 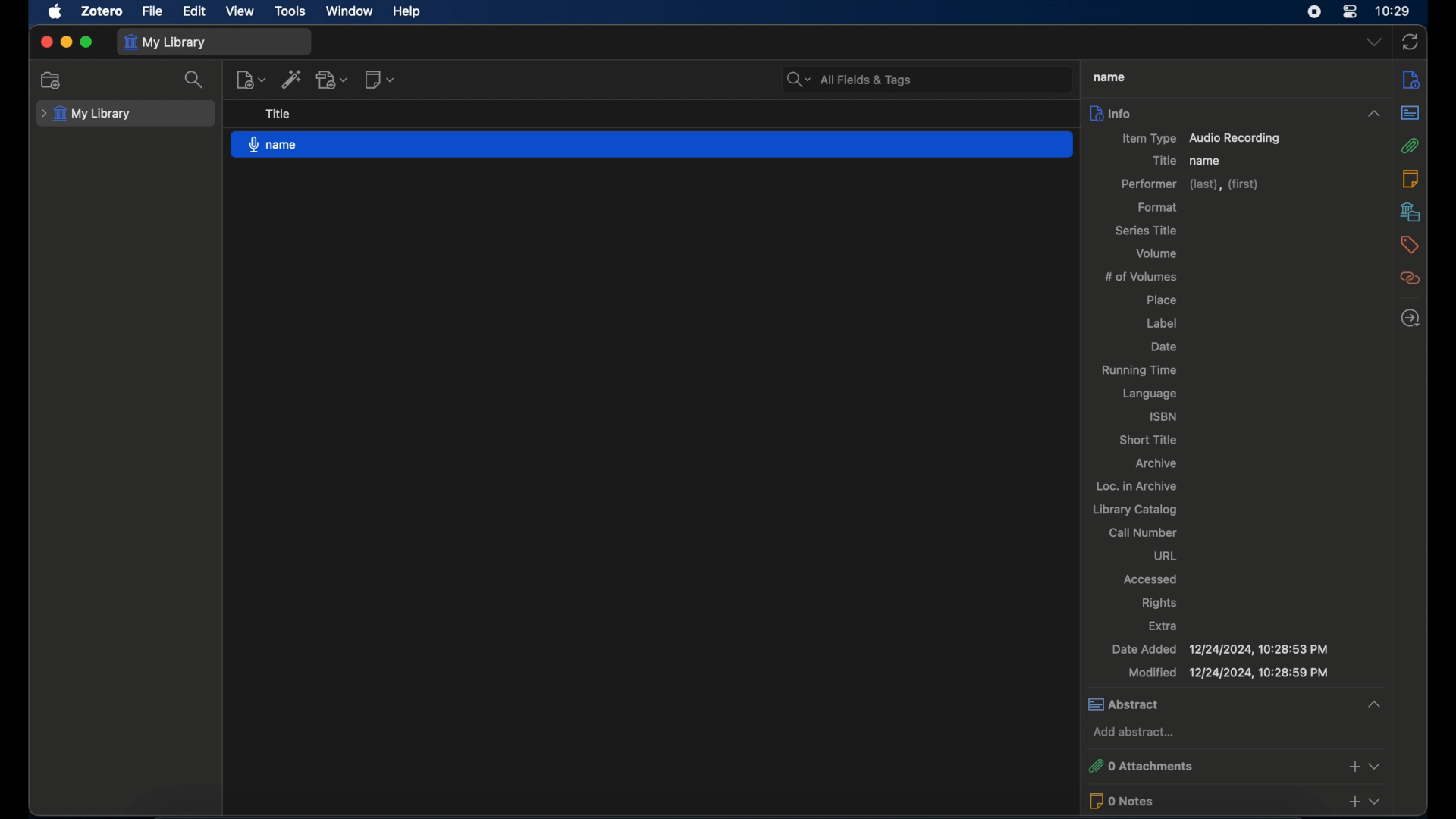 What do you see at coordinates (1132, 732) in the screenshot?
I see `add abstract` at bounding box center [1132, 732].